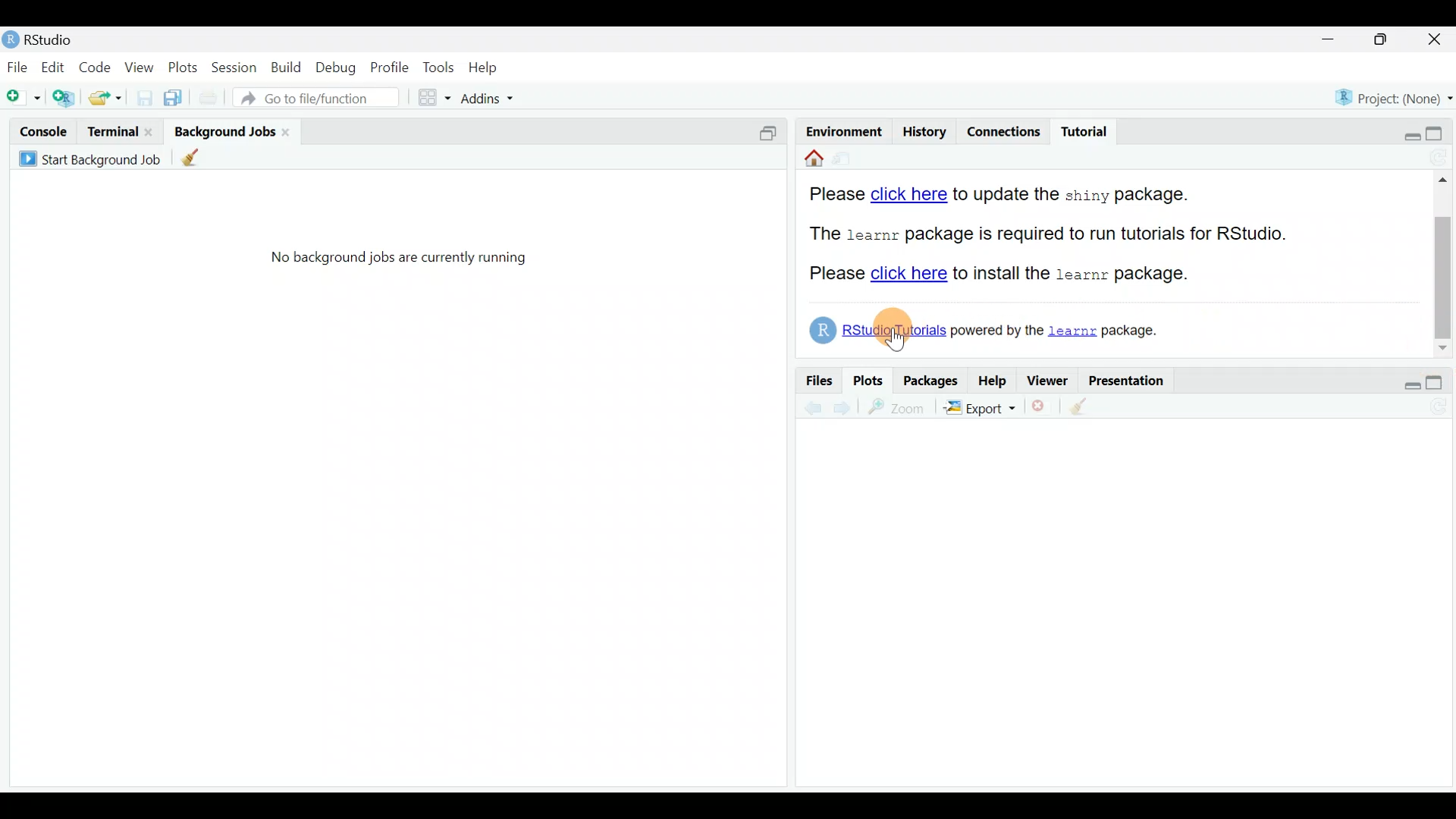 The height and width of the screenshot is (819, 1456). What do you see at coordinates (1069, 278) in the screenshot?
I see `to install the 1earnr package.` at bounding box center [1069, 278].